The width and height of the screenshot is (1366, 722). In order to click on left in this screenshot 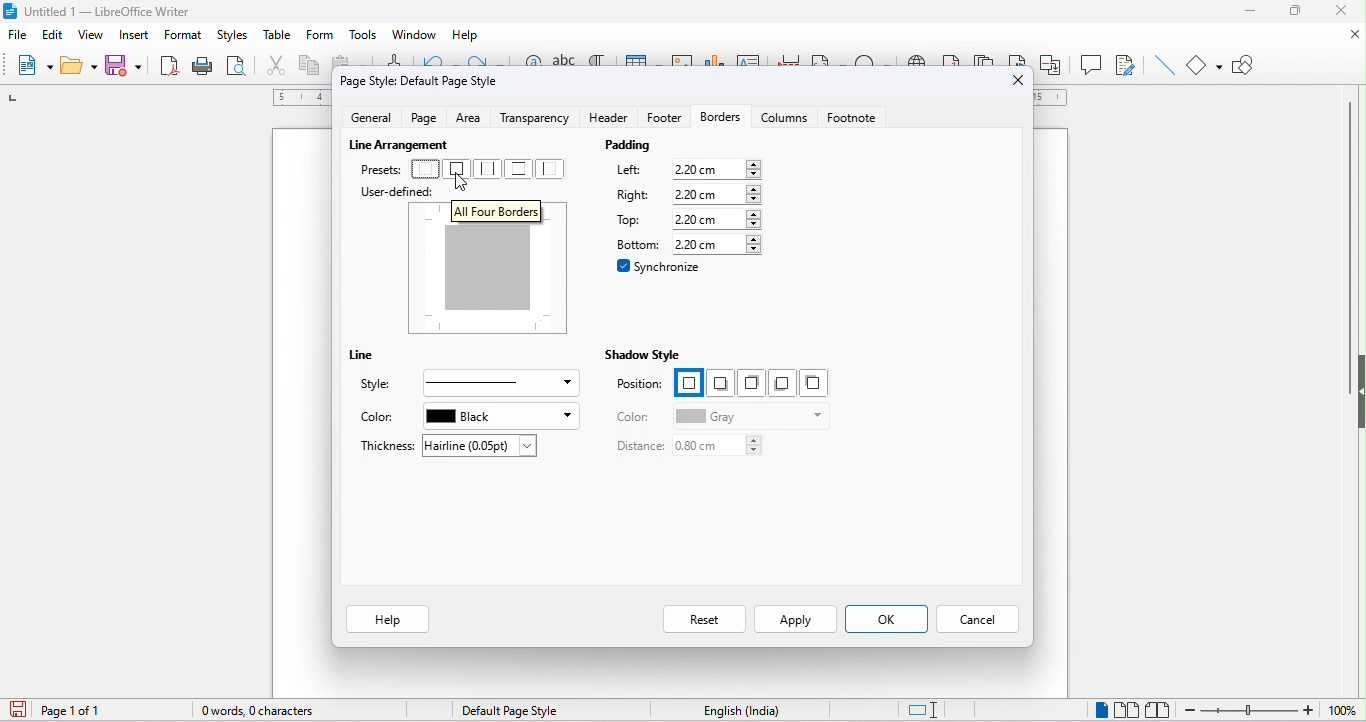, I will do `click(636, 169)`.